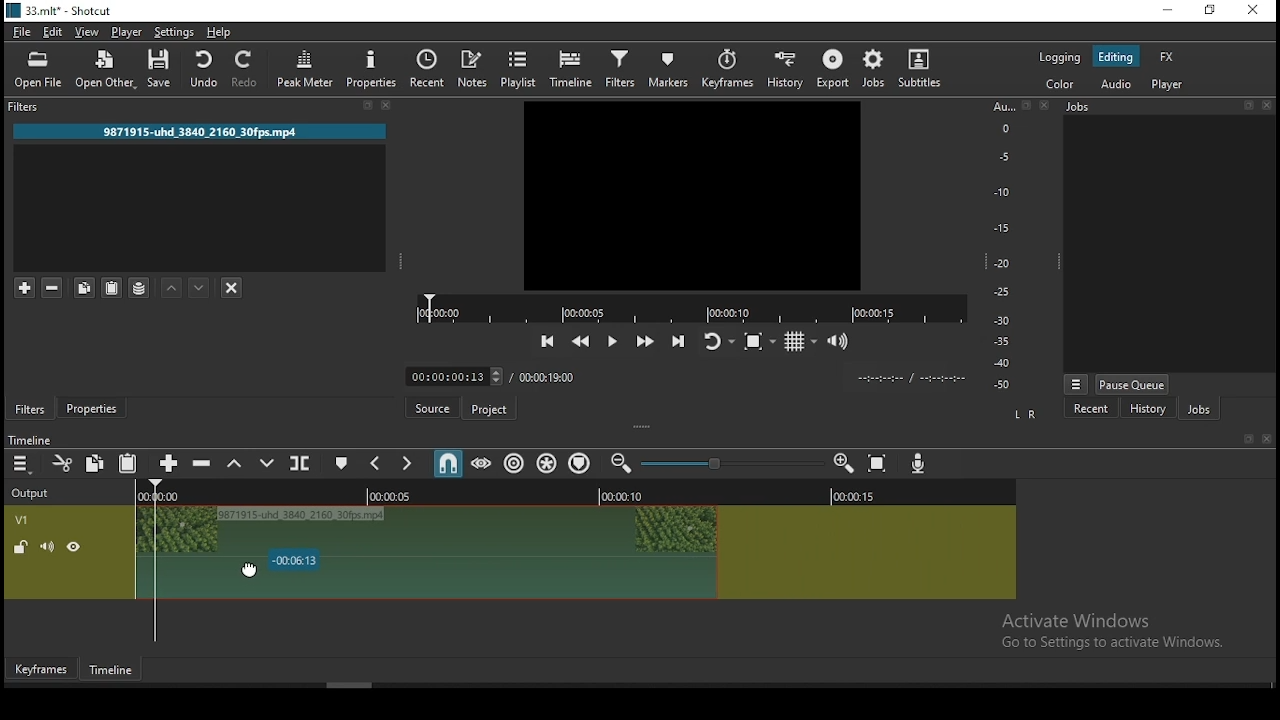  What do you see at coordinates (363, 104) in the screenshot?
I see `bookmark` at bounding box center [363, 104].